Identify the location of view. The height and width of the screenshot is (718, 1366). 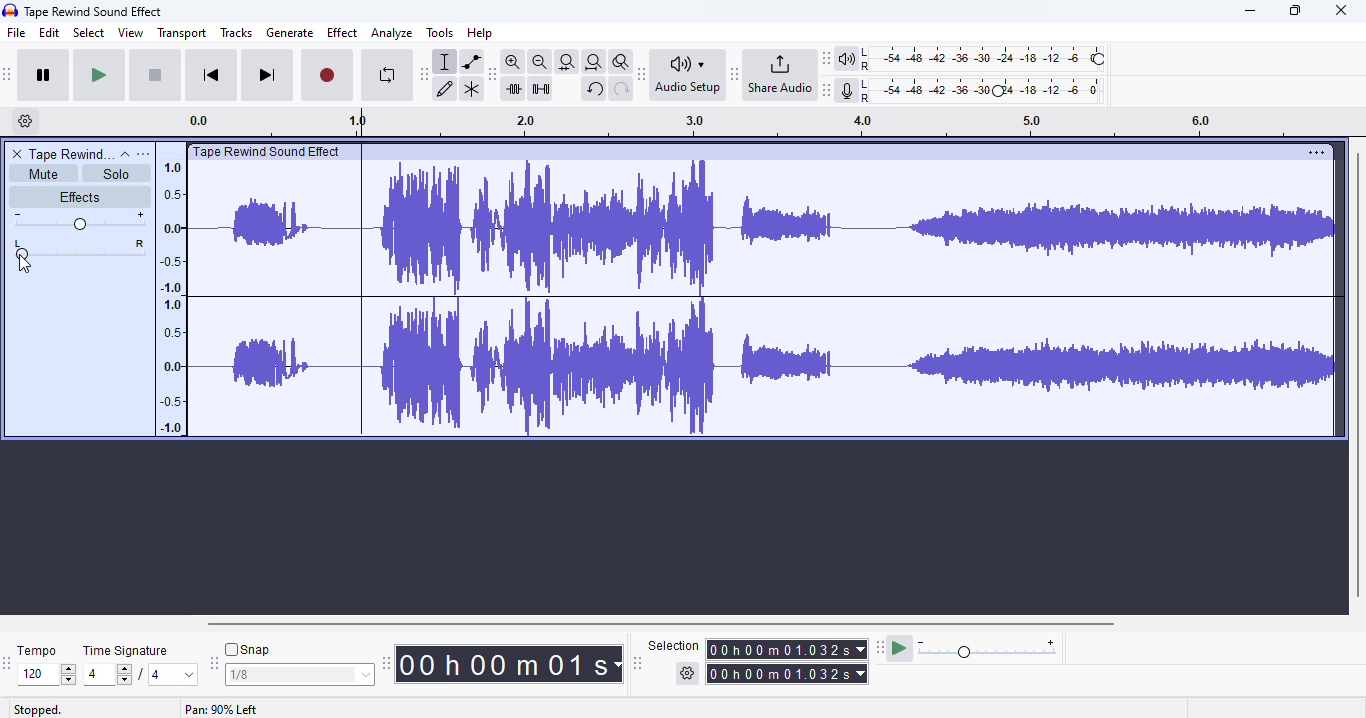
(131, 32).